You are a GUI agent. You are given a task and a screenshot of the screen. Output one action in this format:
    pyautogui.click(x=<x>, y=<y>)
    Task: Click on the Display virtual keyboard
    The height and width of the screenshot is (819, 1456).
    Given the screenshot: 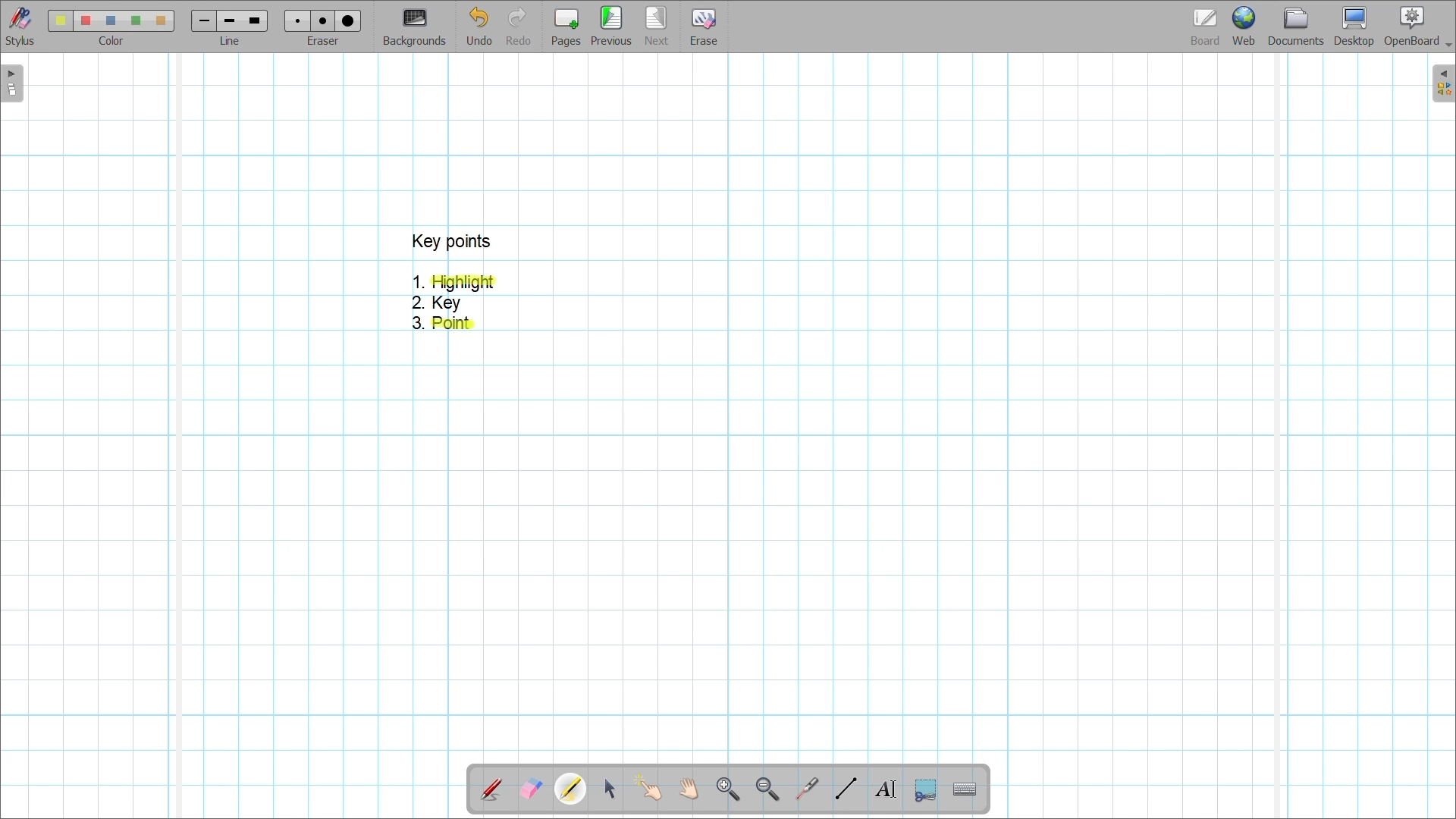 What is the action you would take?
    pyautogui.click(x=965, y=789)
    